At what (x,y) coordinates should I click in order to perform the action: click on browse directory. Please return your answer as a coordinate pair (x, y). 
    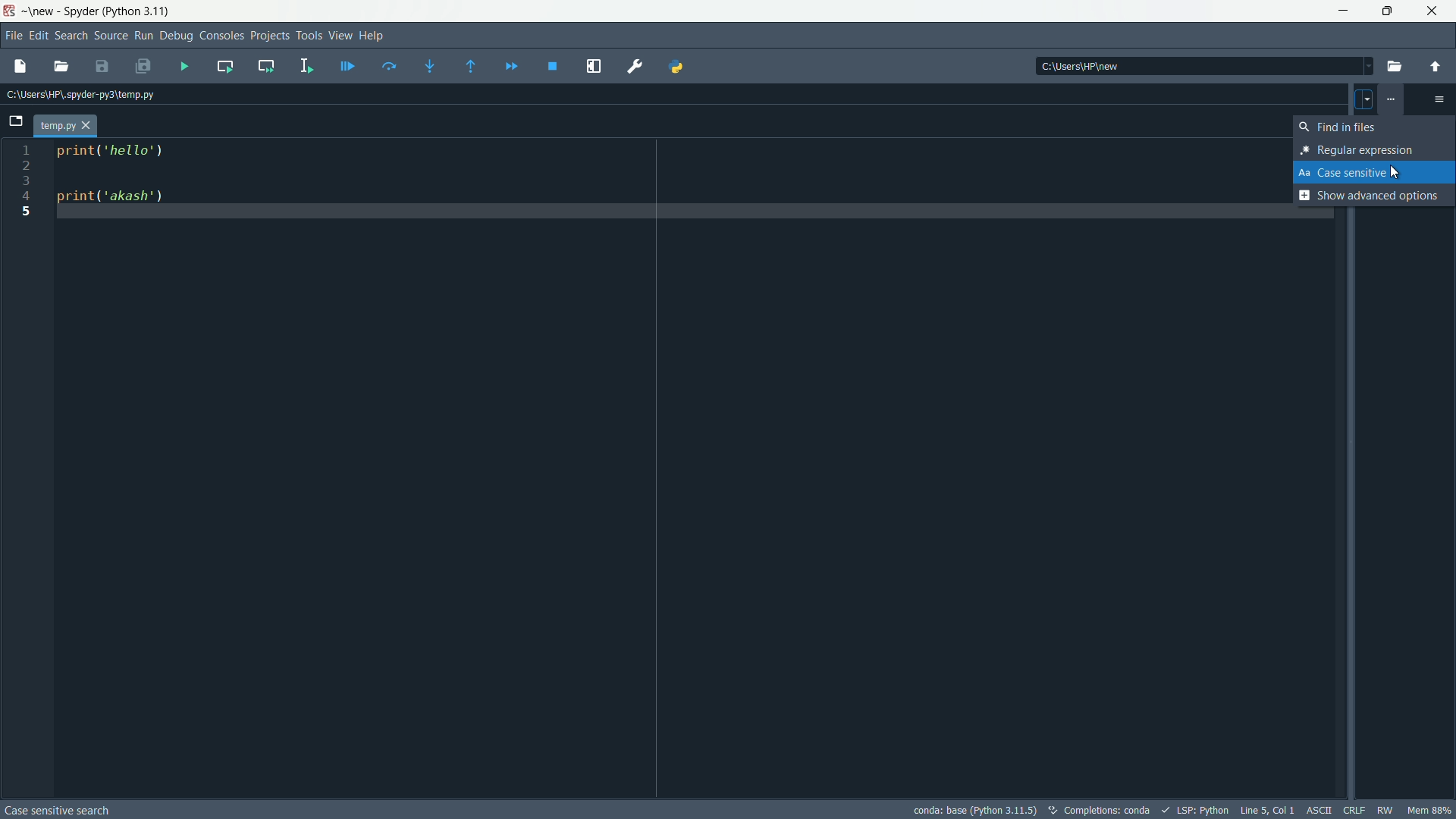
    Looking at the image, I should click on (1394, 67).